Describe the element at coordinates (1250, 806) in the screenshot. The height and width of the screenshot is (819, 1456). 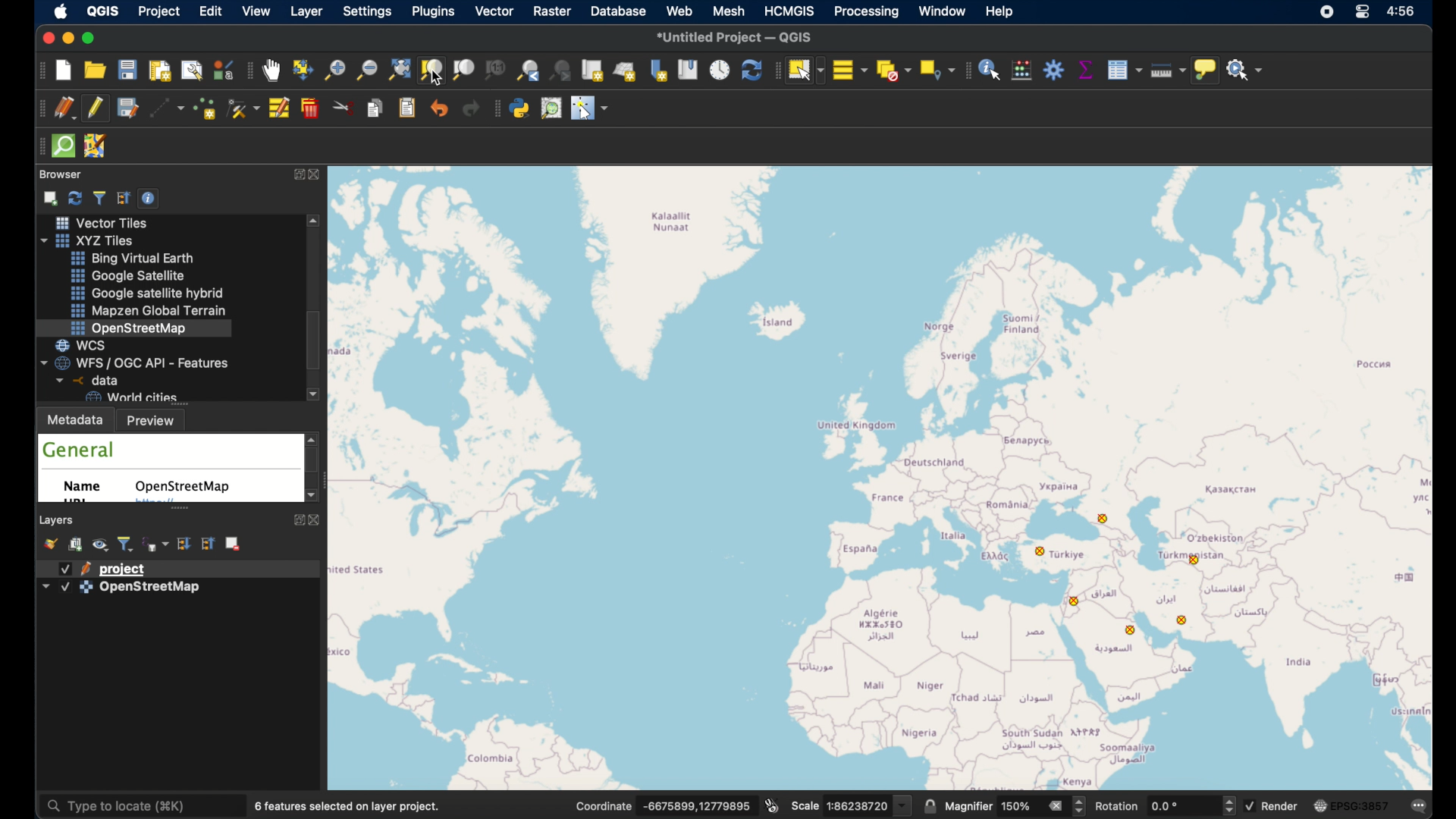
I see `checkbox` at that location.